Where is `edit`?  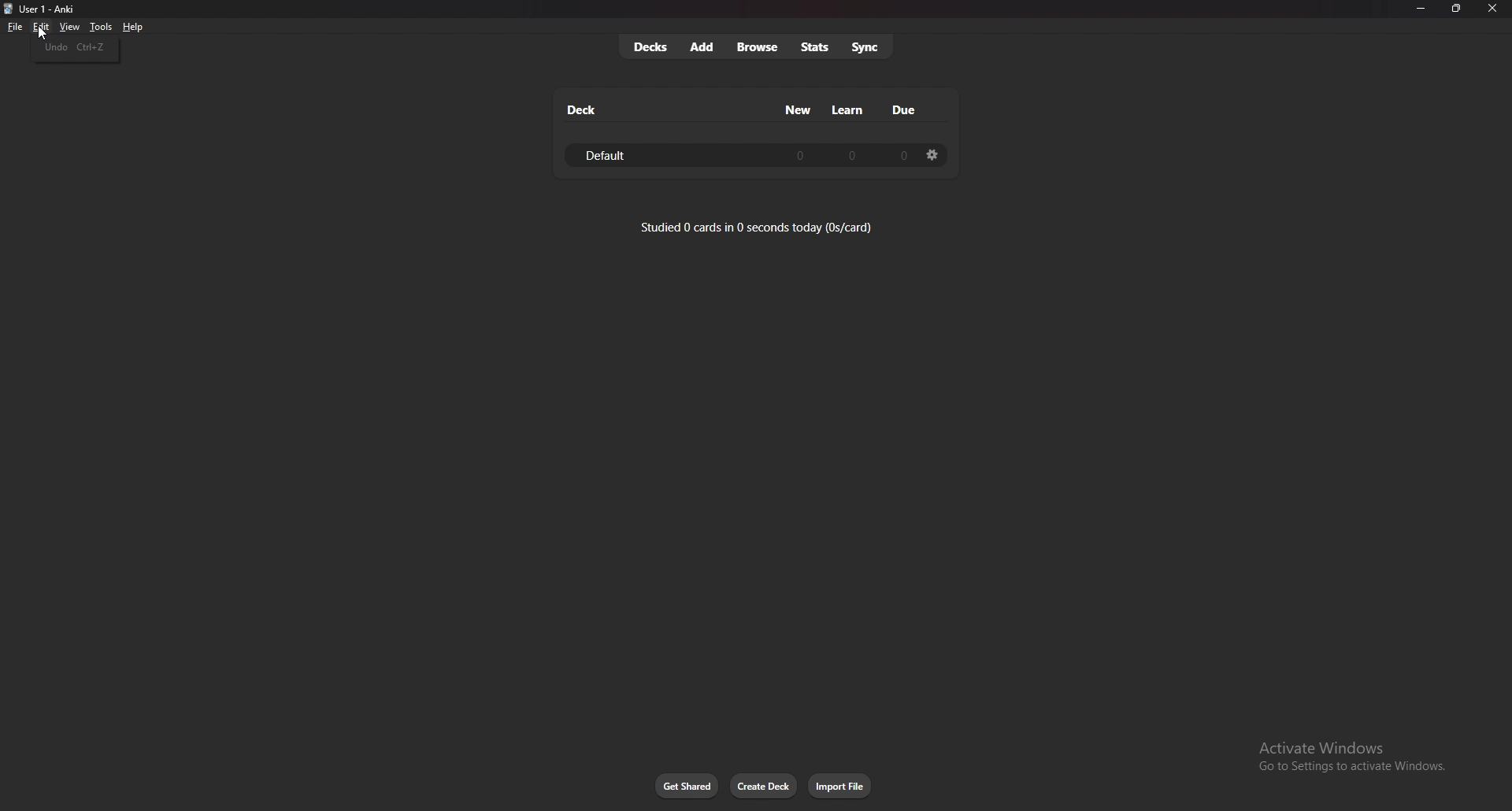 edit is located at coordinates (39, 27).